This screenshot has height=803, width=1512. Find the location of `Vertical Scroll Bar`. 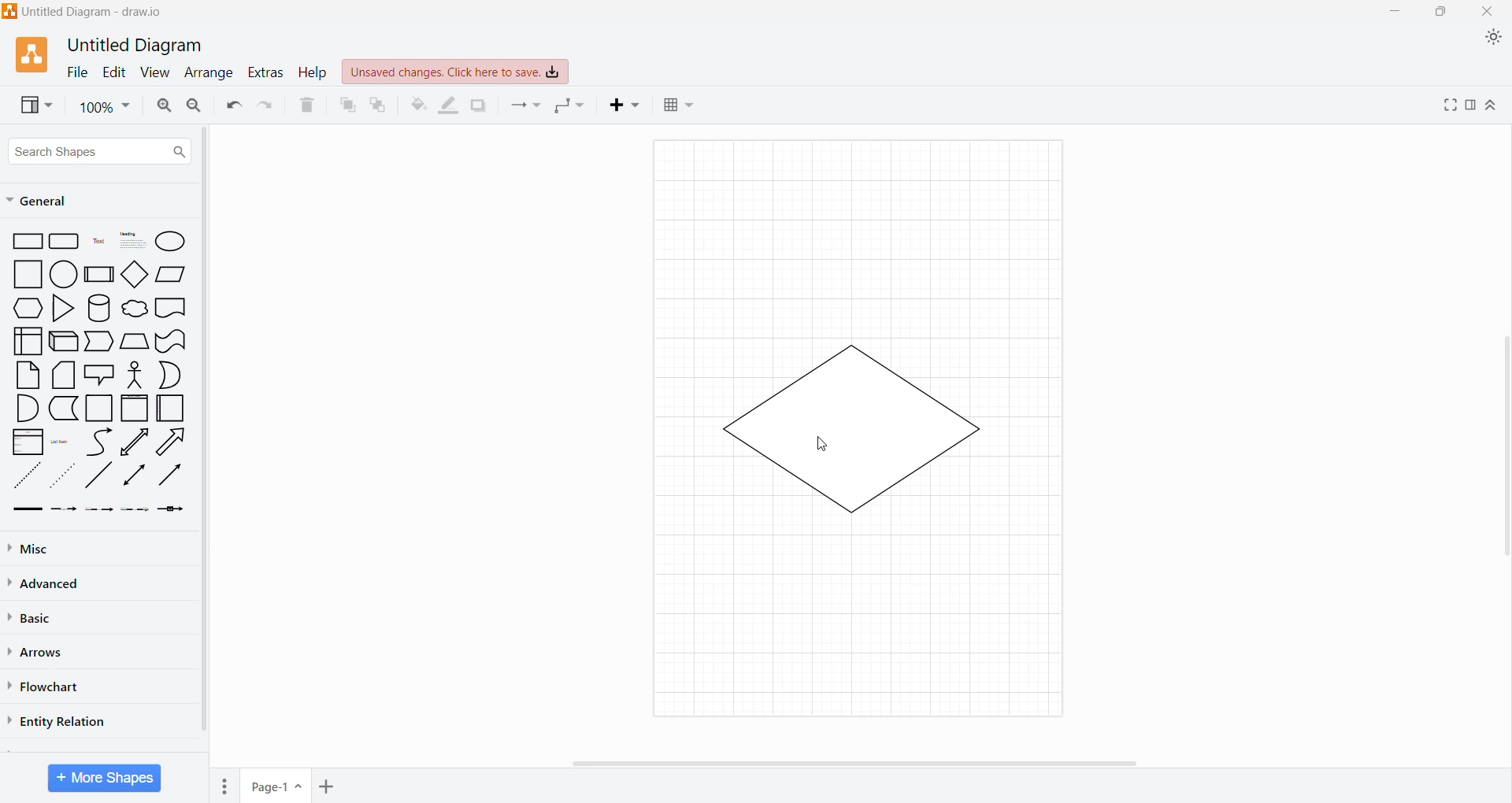

Vertical Scroll Bar is located at coordinates (1502, 439).